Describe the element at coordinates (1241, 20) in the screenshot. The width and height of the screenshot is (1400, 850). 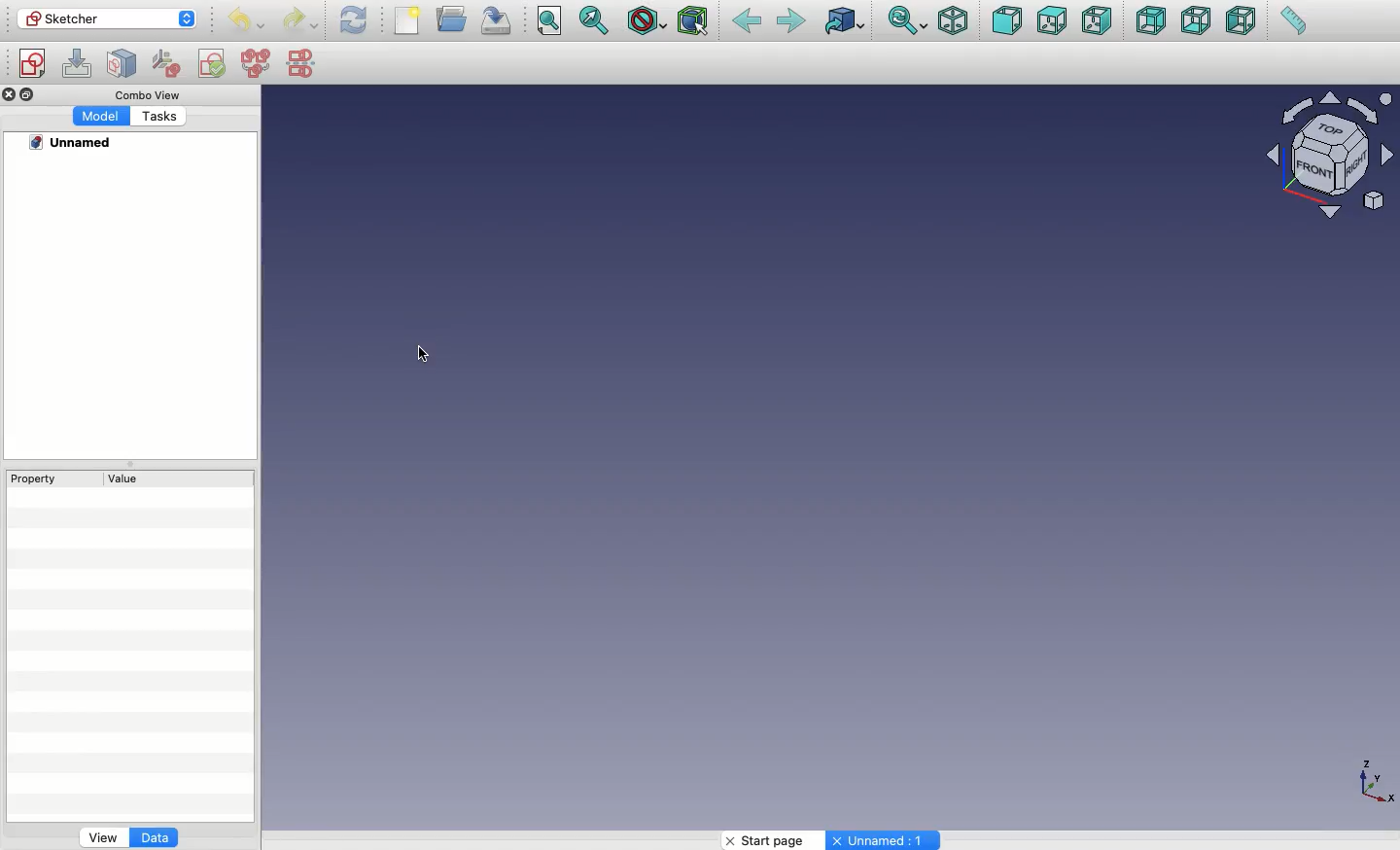
I see `Left` at that location.